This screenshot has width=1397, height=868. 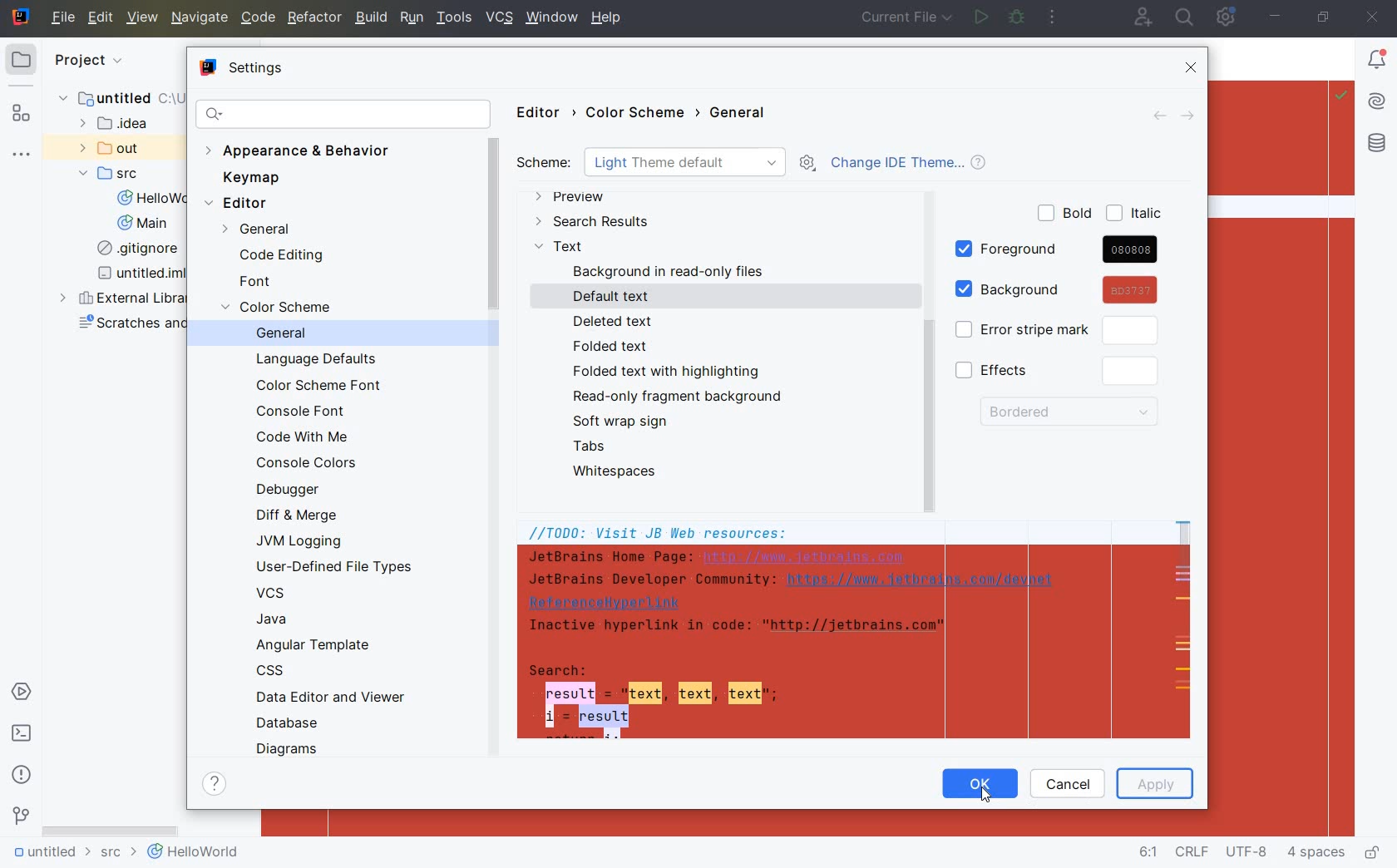 What do you see at coordinates (544, 113) in the screenshot?
I see `EDITOR` at bounding box center [544, 113].